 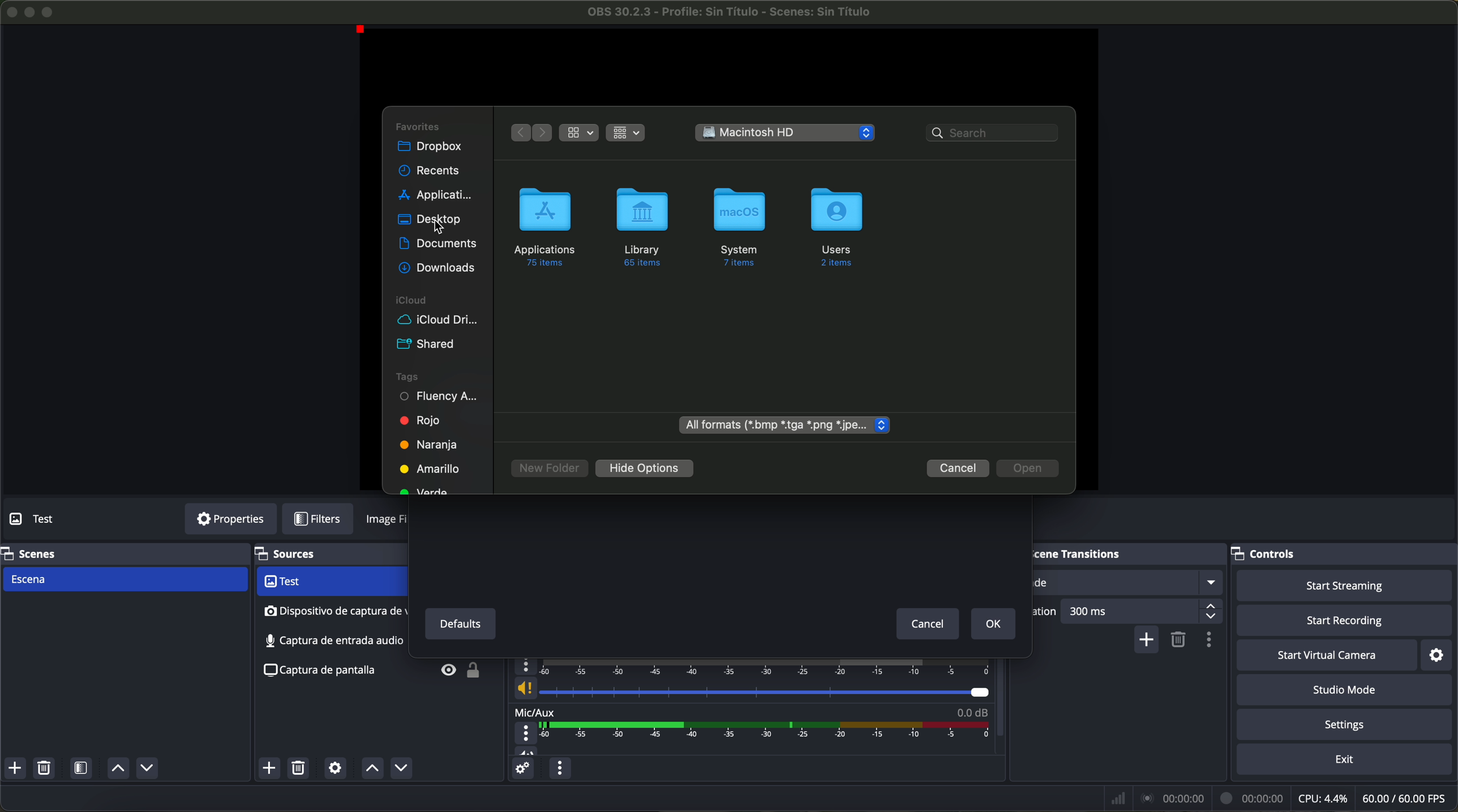 What do you see at coordinates (230, 519) in the screenshot?
I see `properties` at bounding box center [230, 519].